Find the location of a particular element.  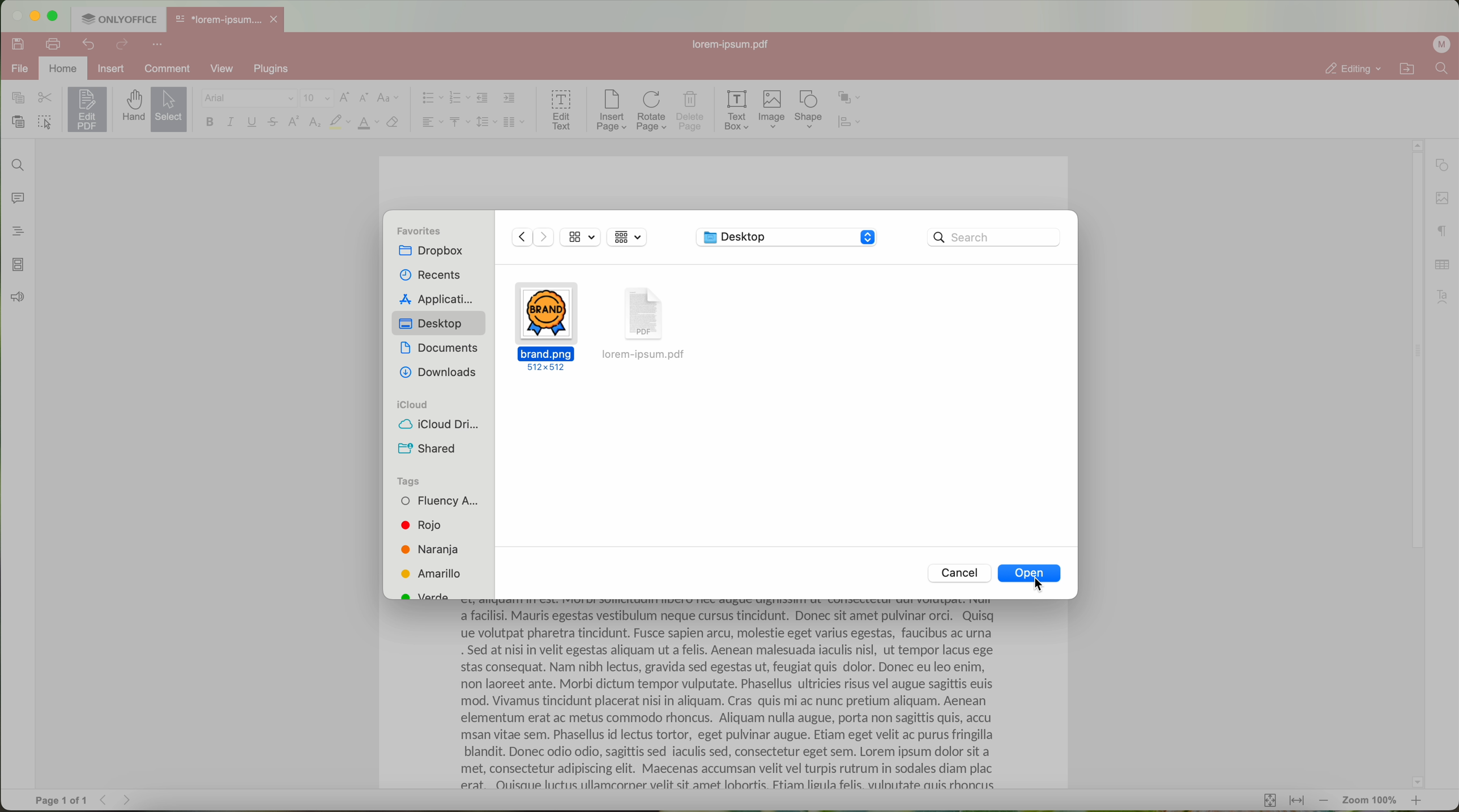

save is located at coordinates (15, 43).